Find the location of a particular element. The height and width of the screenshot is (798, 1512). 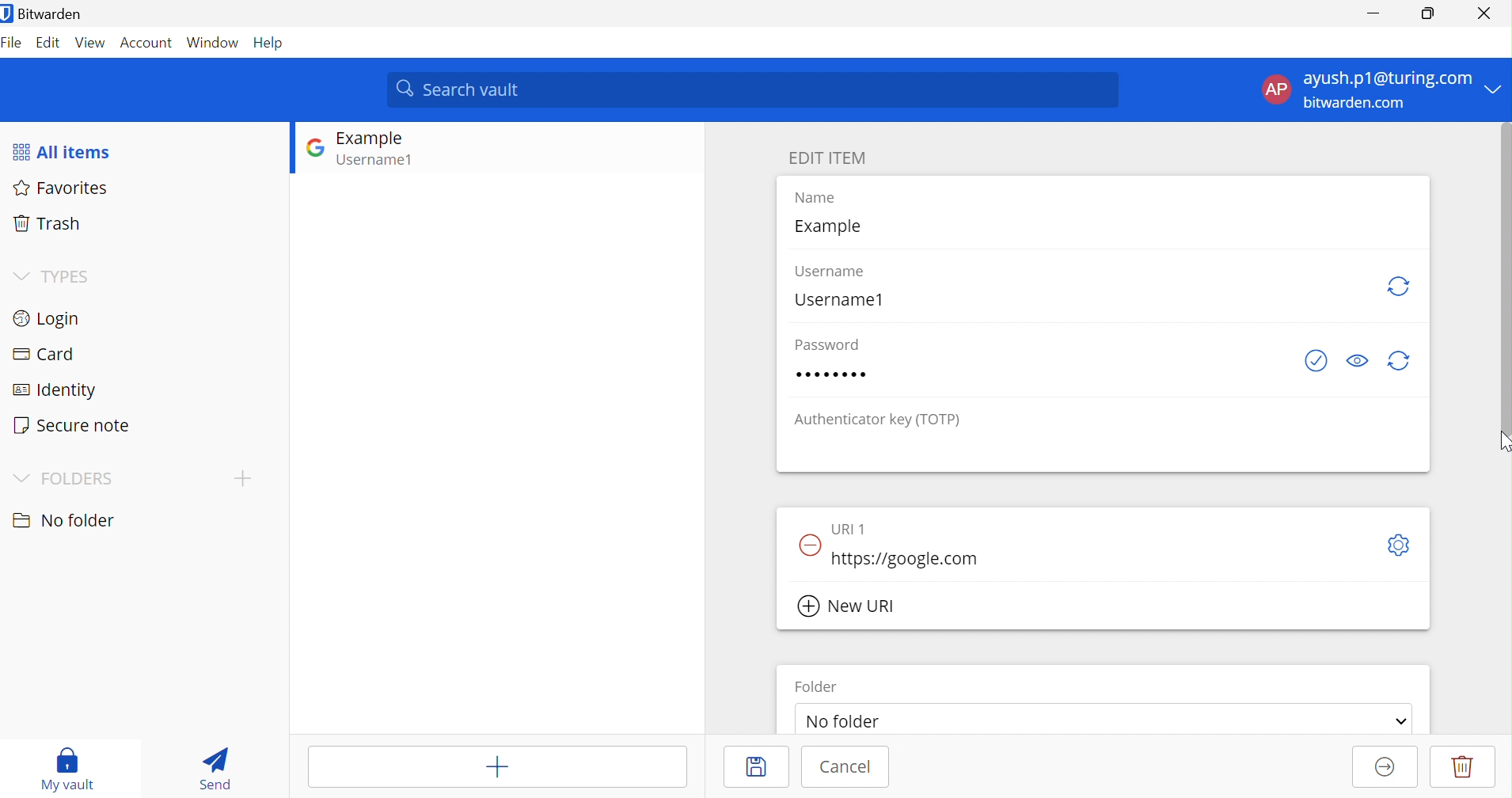

View is located at coordinates (91, 42).